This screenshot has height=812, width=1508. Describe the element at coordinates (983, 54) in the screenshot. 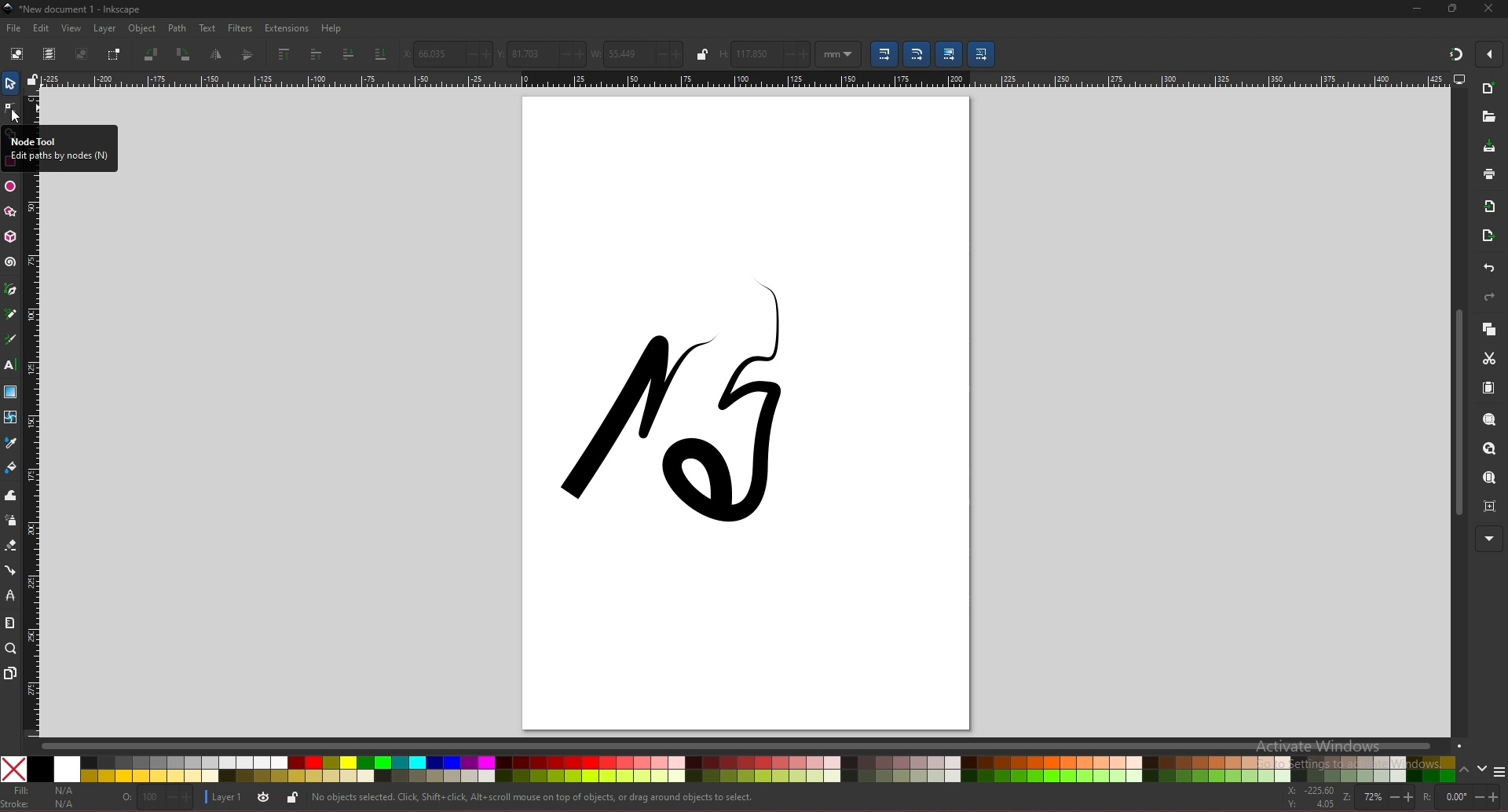

I see `move patterns` at that location.